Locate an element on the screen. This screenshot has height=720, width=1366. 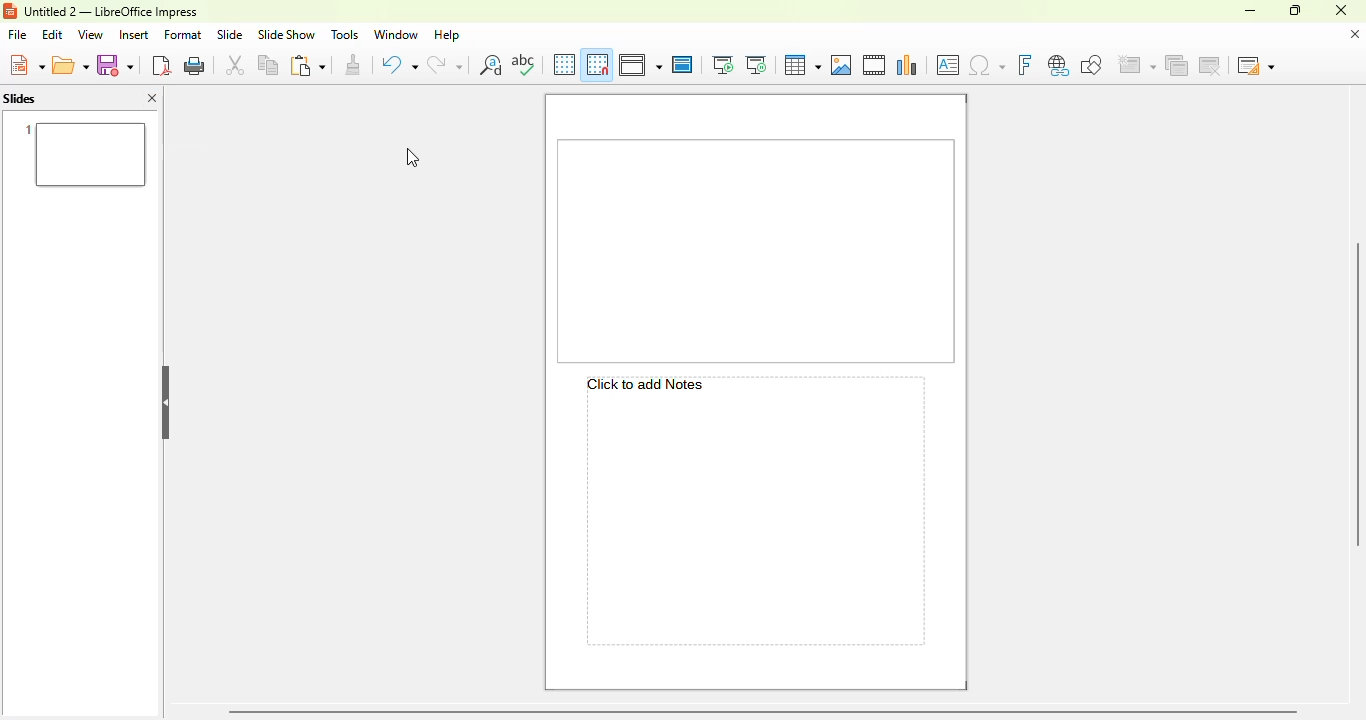
duplicate slide is located at coordinates (1176, 64).